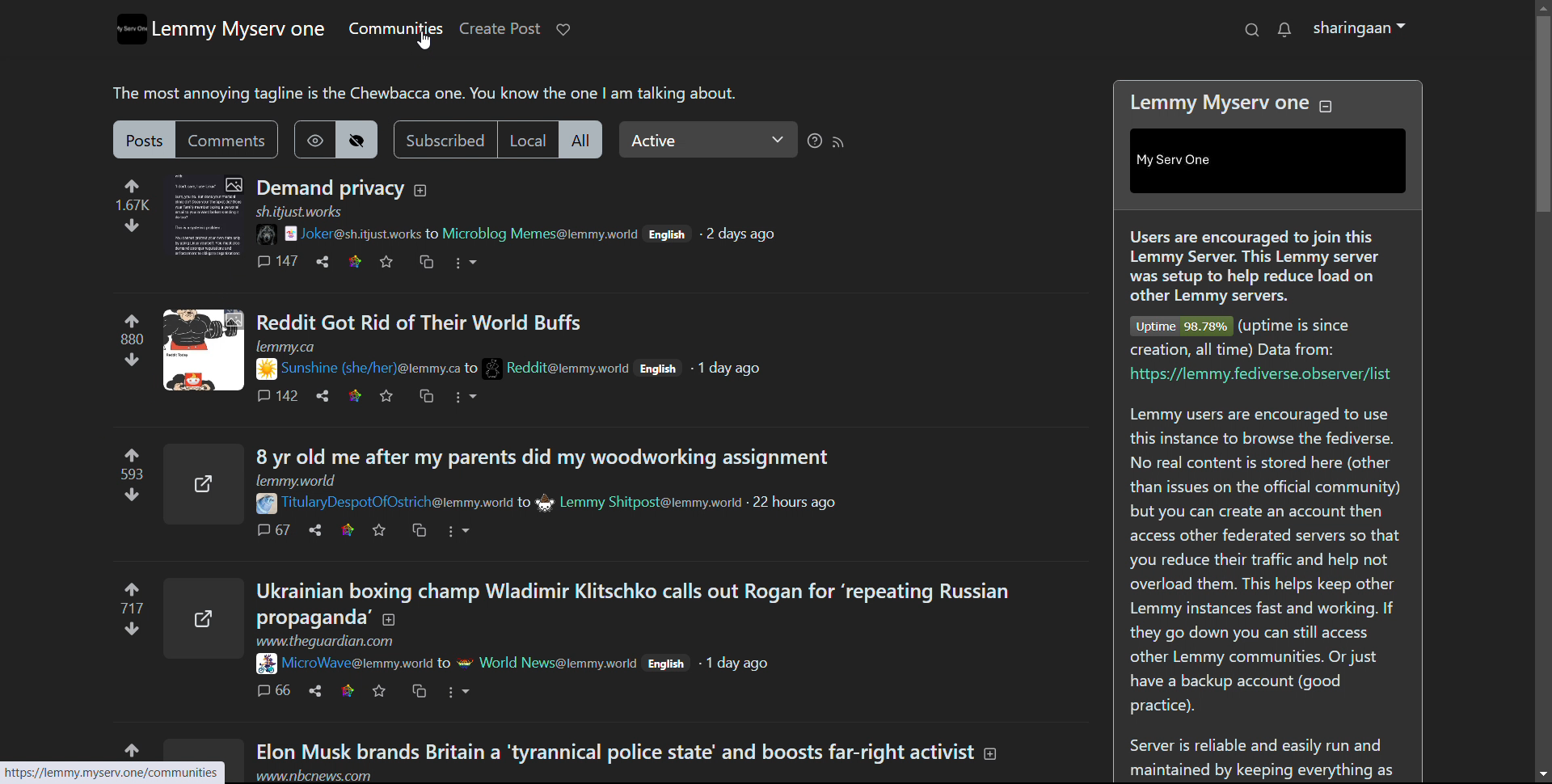  I want to click on English, so click(660, 368).